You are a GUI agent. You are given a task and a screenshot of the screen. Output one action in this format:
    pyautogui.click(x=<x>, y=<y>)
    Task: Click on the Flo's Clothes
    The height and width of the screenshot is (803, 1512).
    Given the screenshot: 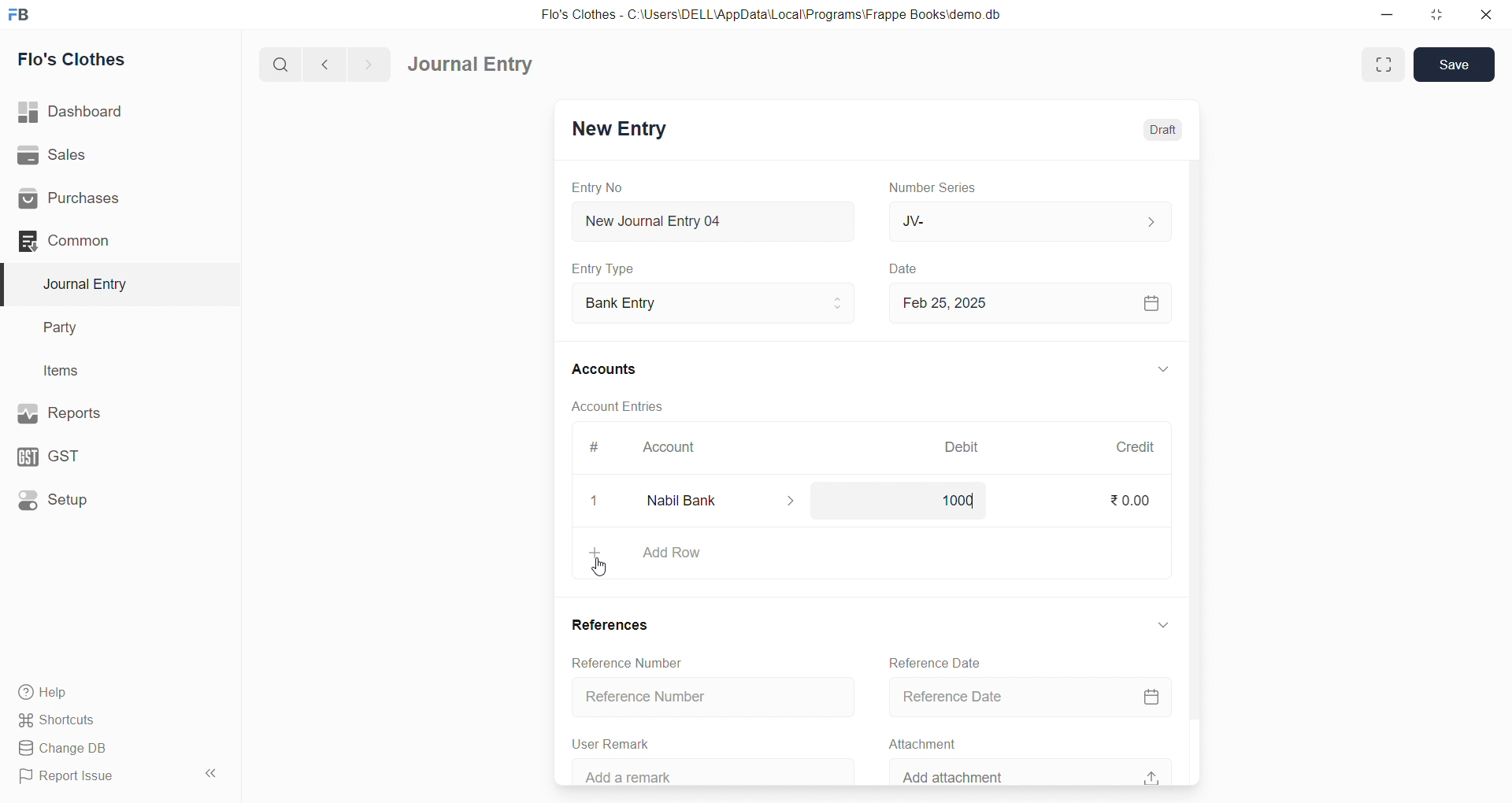 What is the action you would take?
    pyautogui.click(x=113, y=60)
    